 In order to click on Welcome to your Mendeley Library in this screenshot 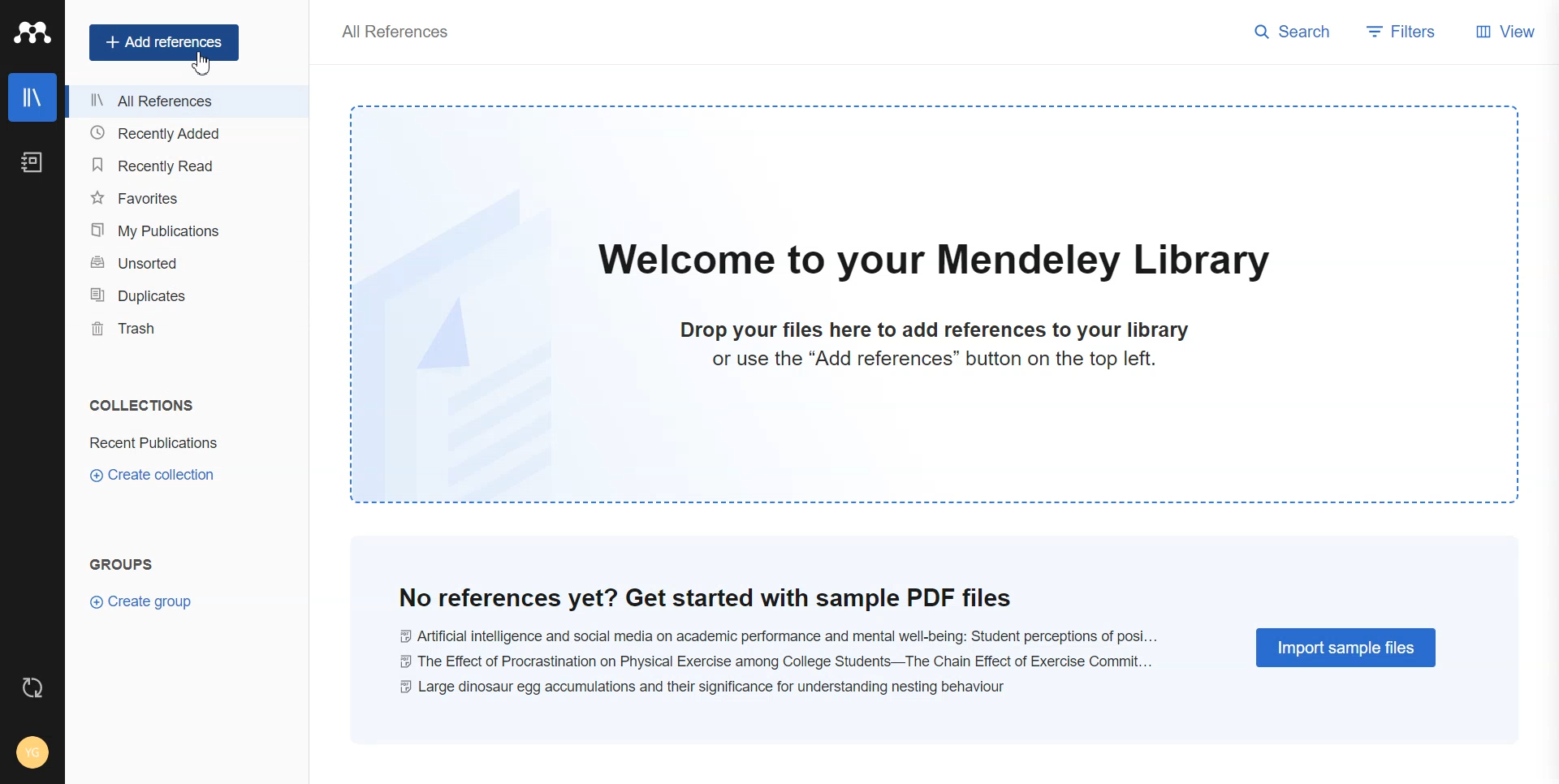, I will do `click(931, 263)`.